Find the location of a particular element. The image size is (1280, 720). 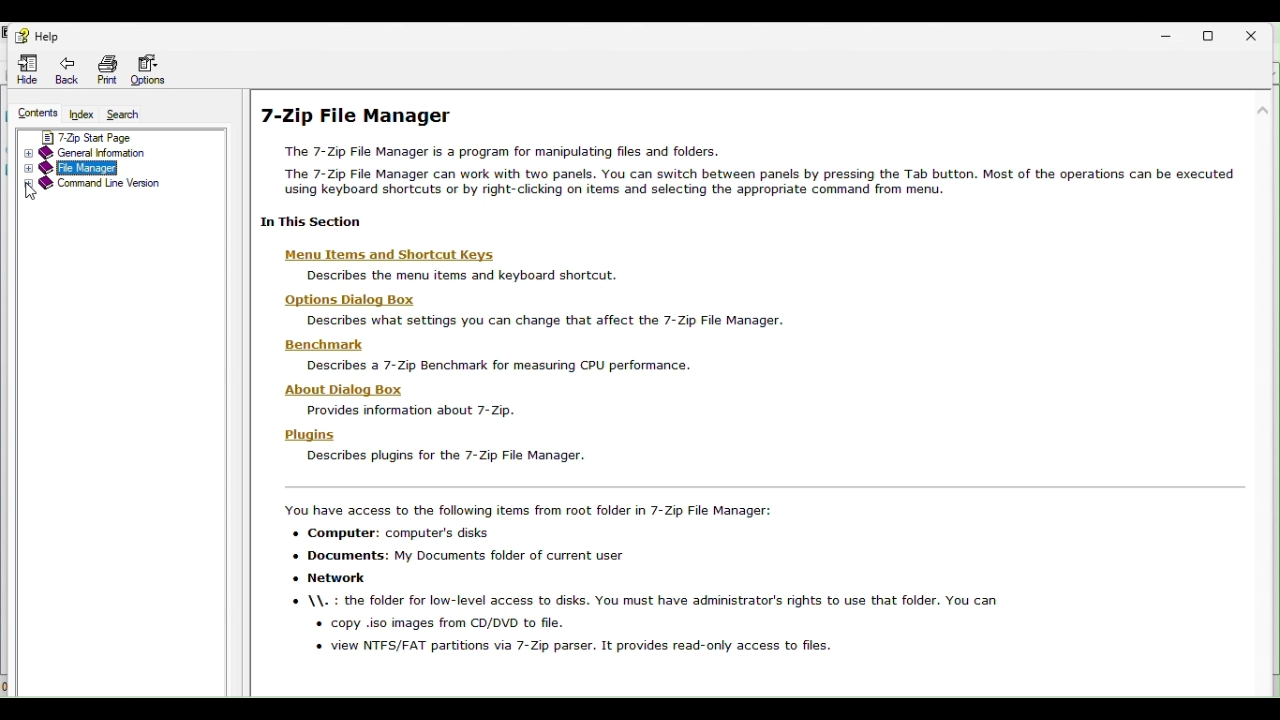

Benchmark is located at coordinates (317, 344).